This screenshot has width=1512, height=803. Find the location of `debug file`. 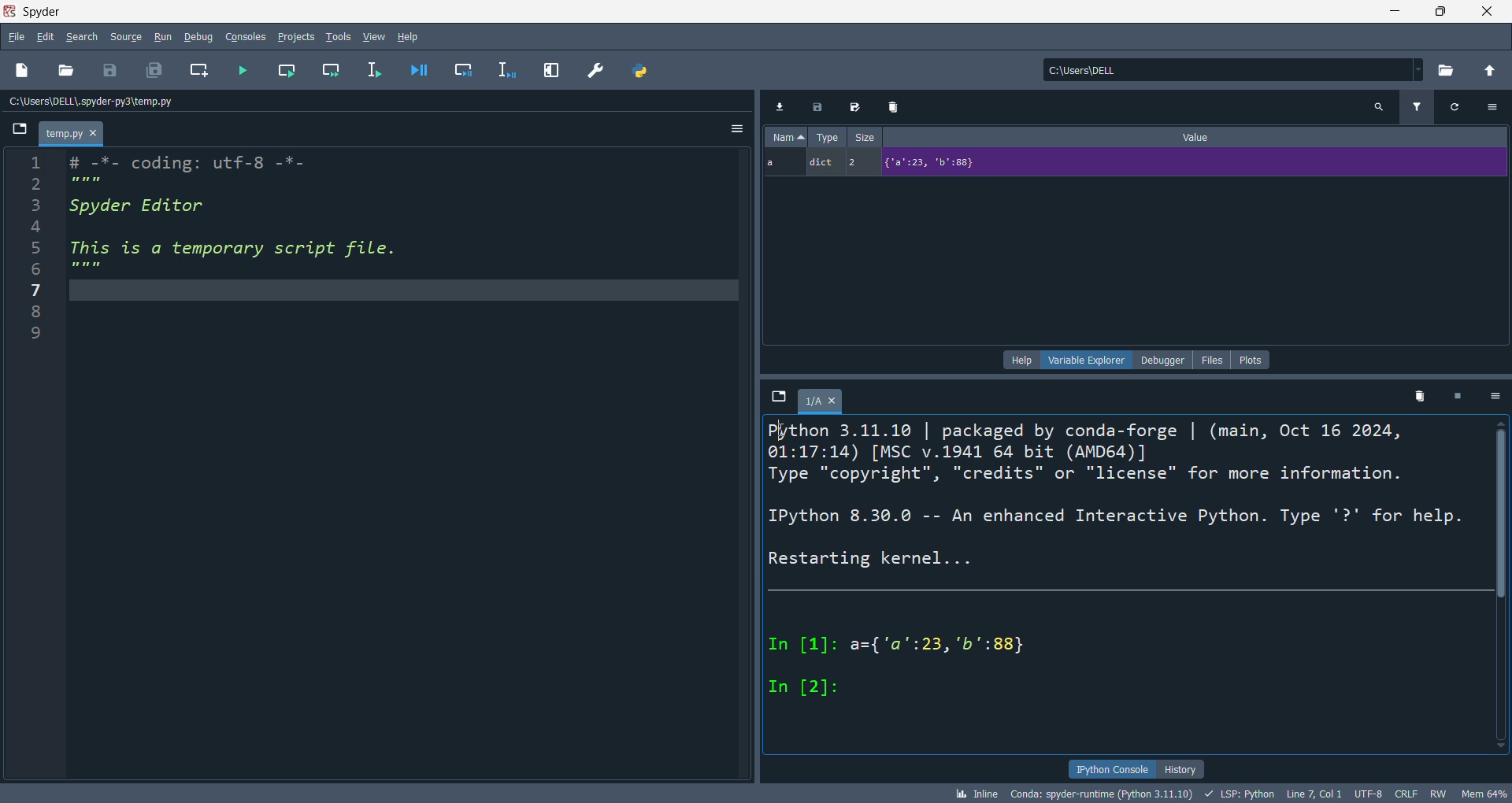

debug file is located at coordinates (424, 68).